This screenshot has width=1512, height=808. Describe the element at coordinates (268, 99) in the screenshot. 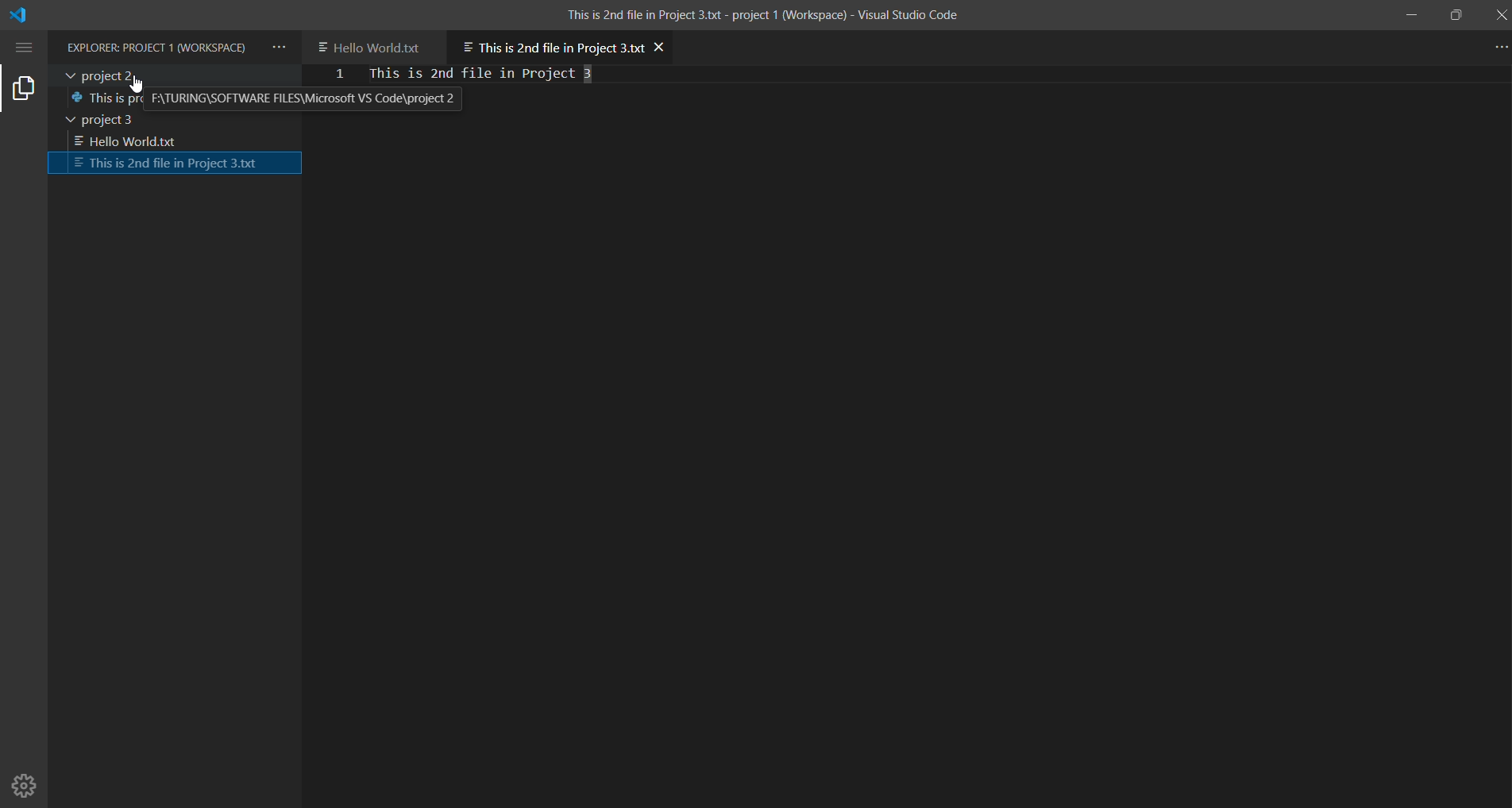

I see `file in project 2` at that location.